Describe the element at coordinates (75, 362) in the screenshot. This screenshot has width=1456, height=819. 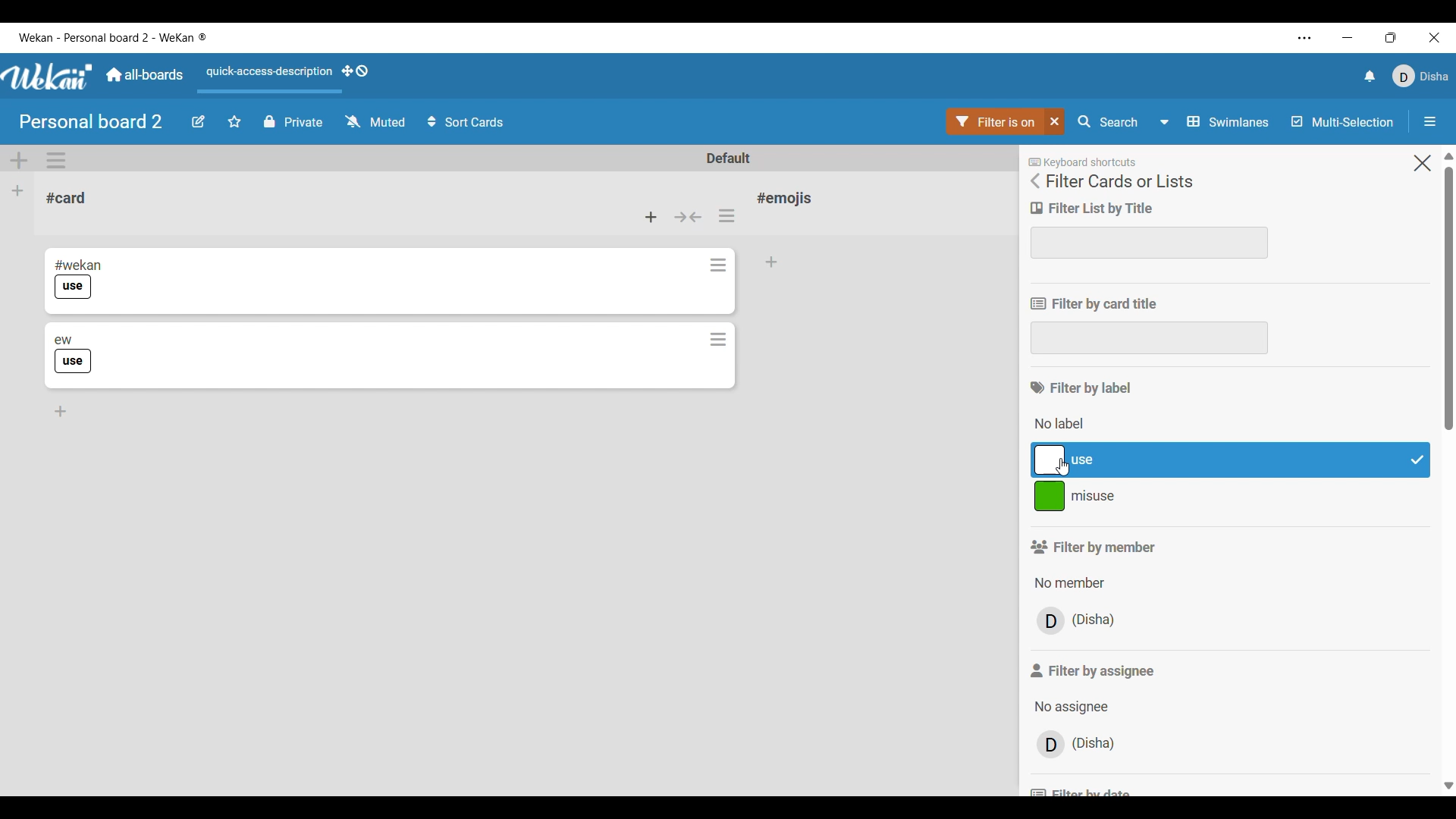
I see `use` at that location.